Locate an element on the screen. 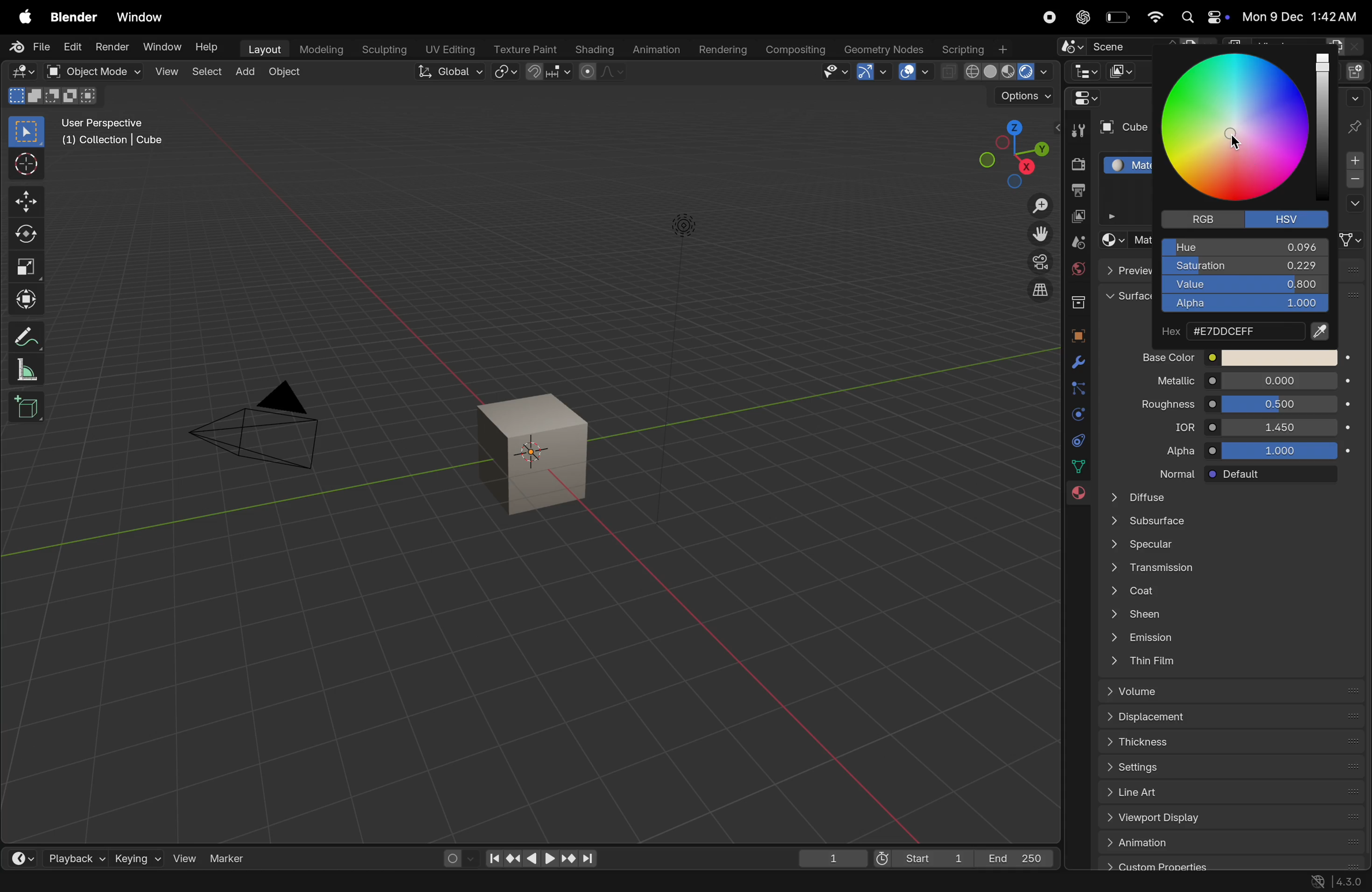 The width and height of the screenshot is (1372, 892). idr is located at coordinates (1174, 429).